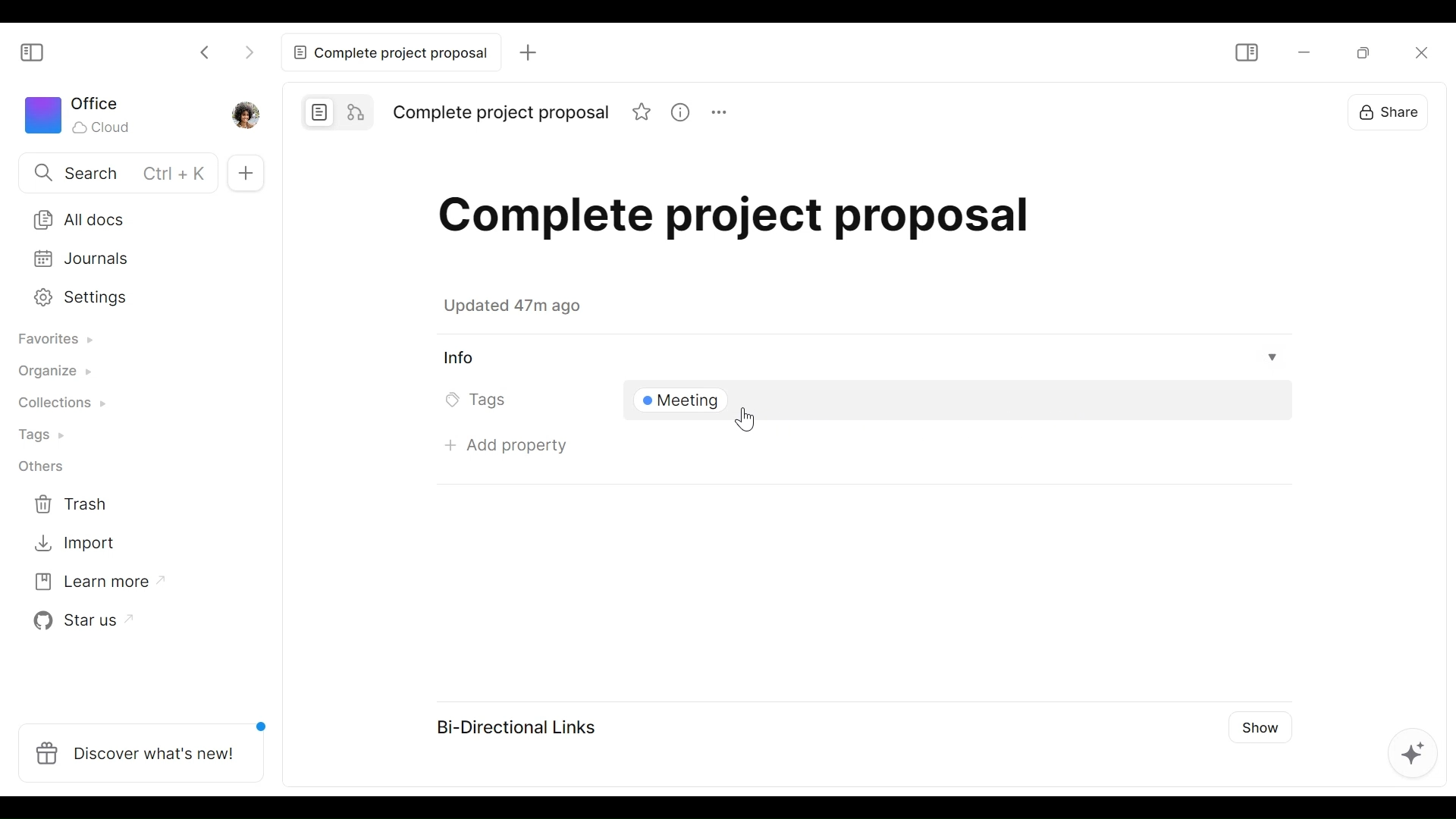 This screenshot has height=819, width=1456. I want to click on Bi-Directional Links, so click(522, 725).